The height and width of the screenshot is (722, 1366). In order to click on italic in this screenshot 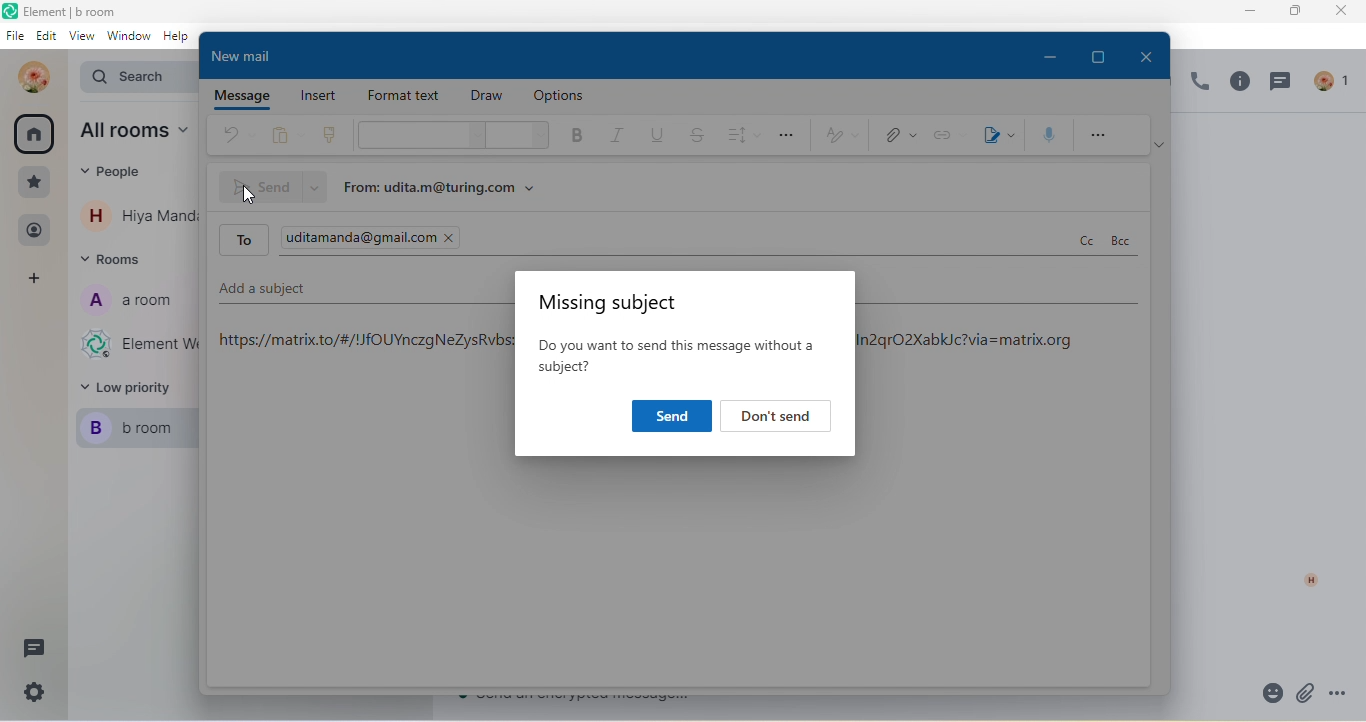, I will do `click(616, 137)`.